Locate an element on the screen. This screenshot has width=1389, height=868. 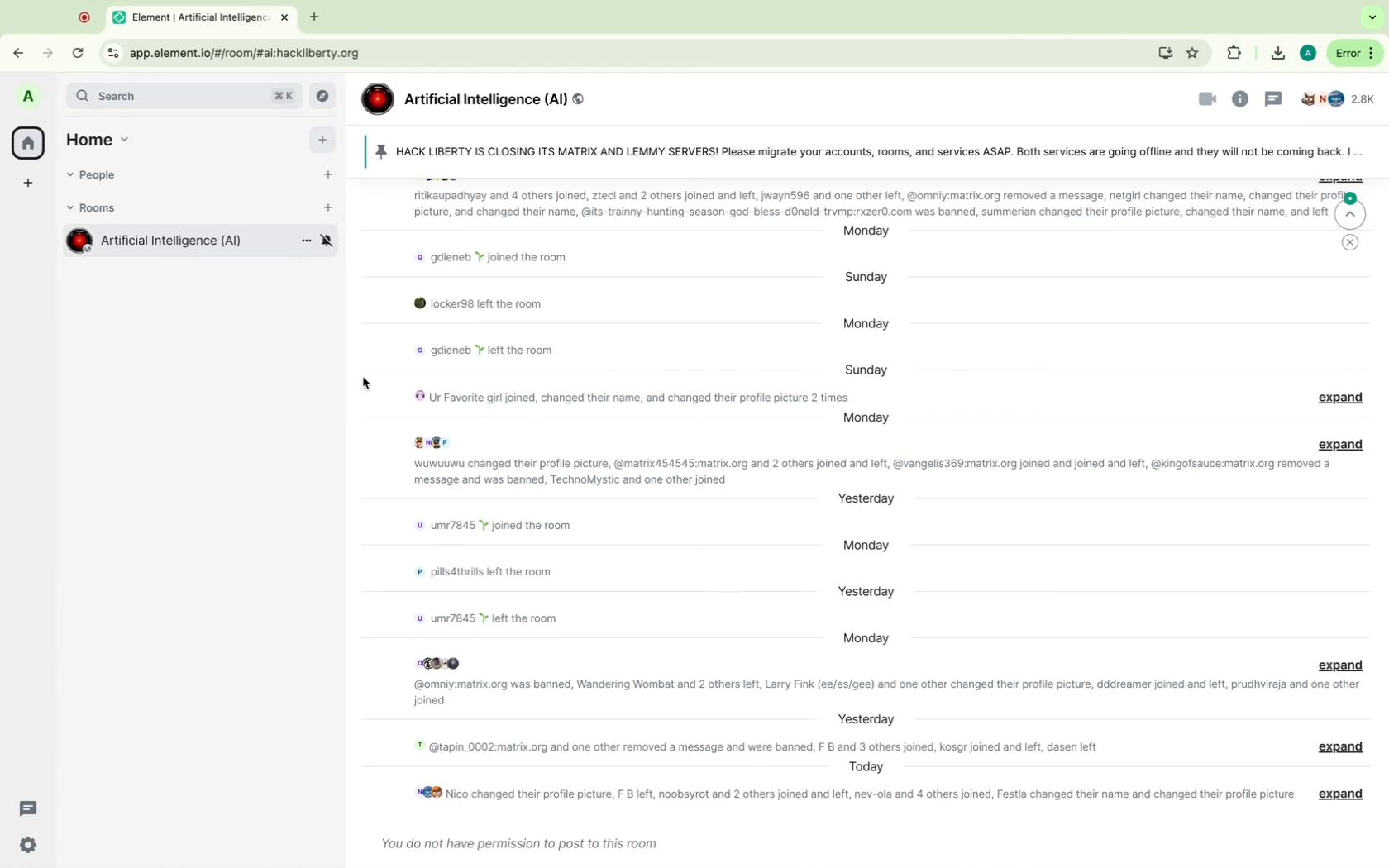
videocalls is located at coordinates (1199, 101).